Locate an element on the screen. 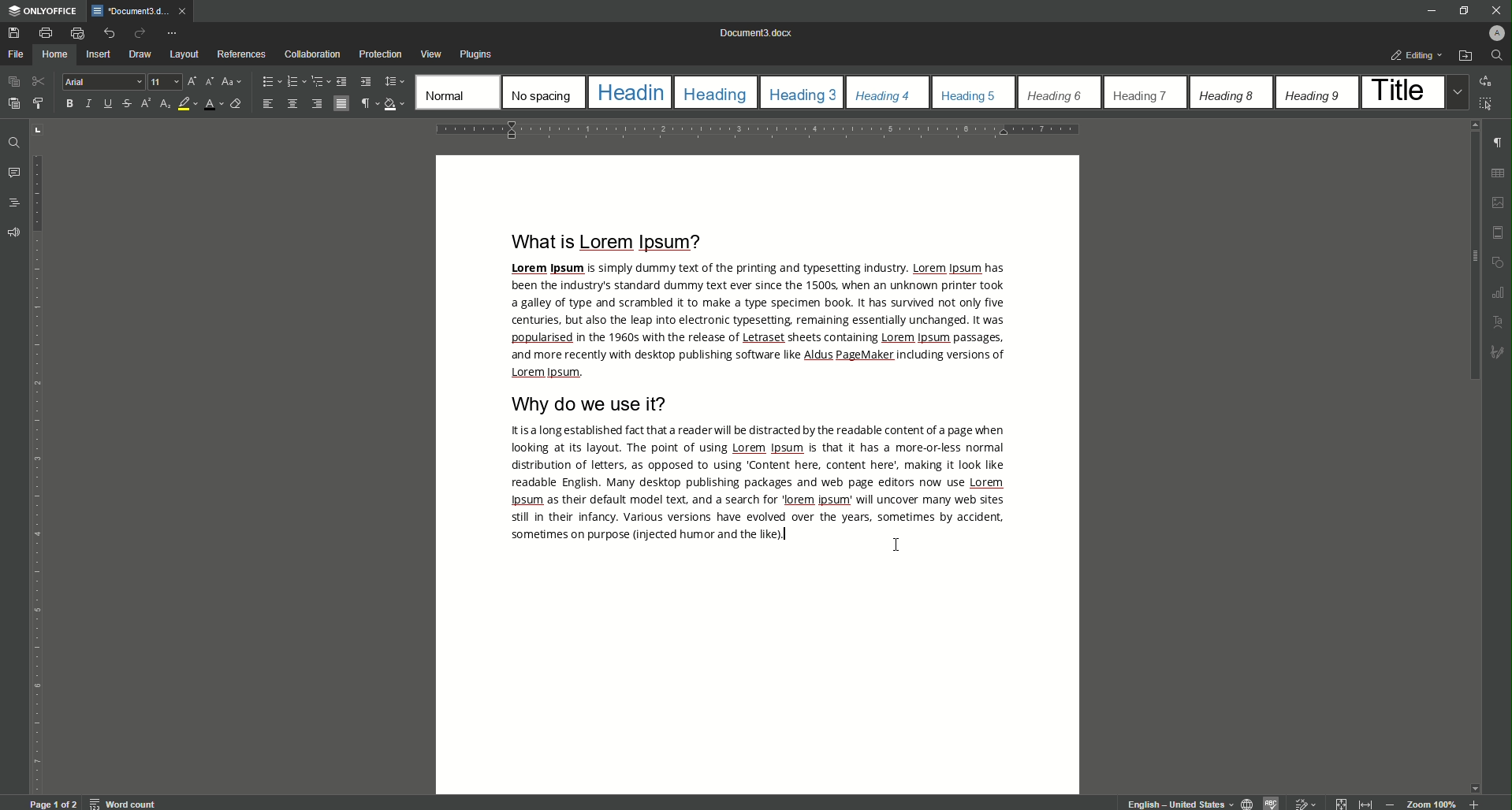 This screenshot has height=810, width=1512. move down is located at coordinates (1474, 781).